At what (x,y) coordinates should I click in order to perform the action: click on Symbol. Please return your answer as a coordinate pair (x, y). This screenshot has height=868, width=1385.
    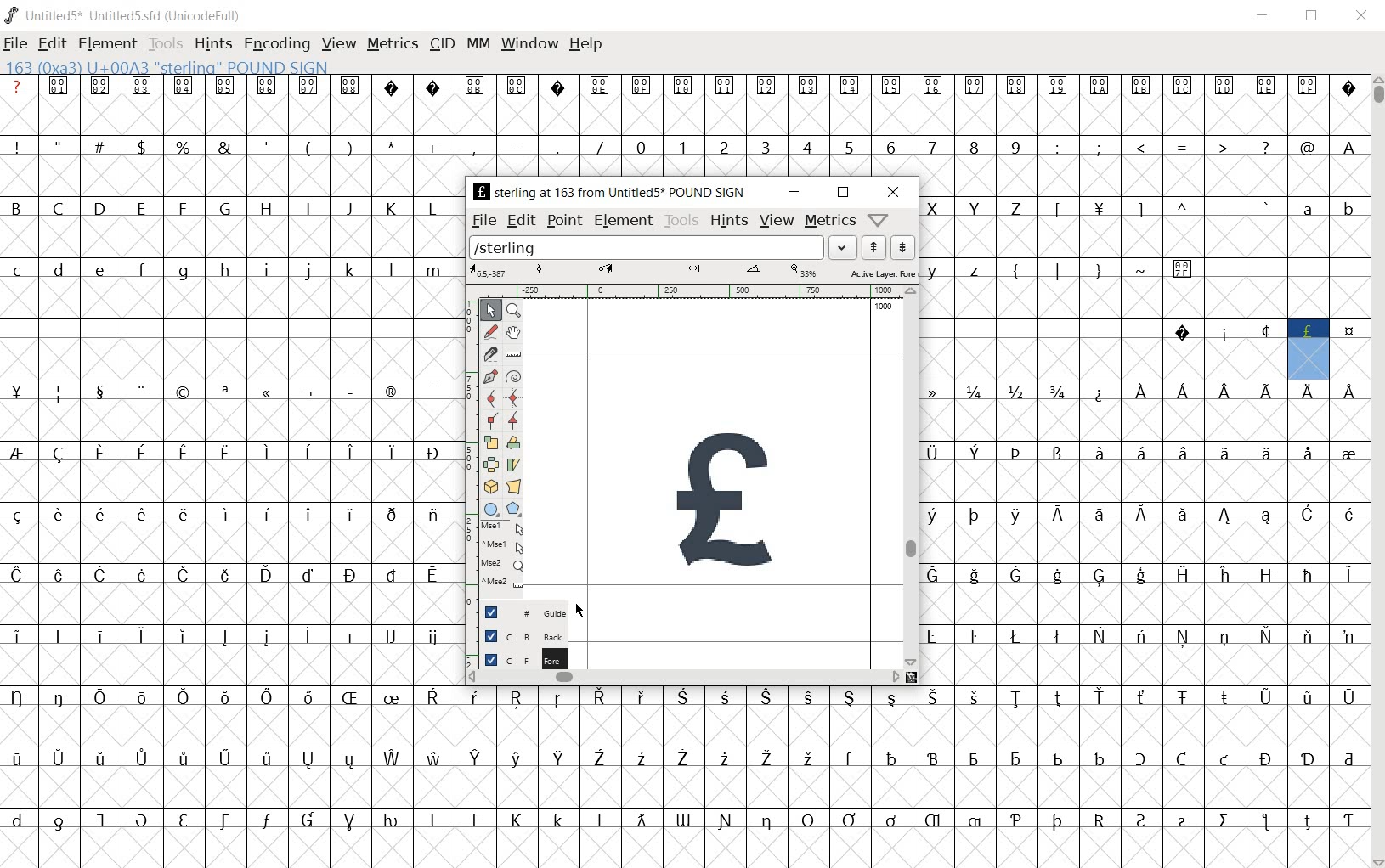
    Looking at the image, I should click on (1058, 699).